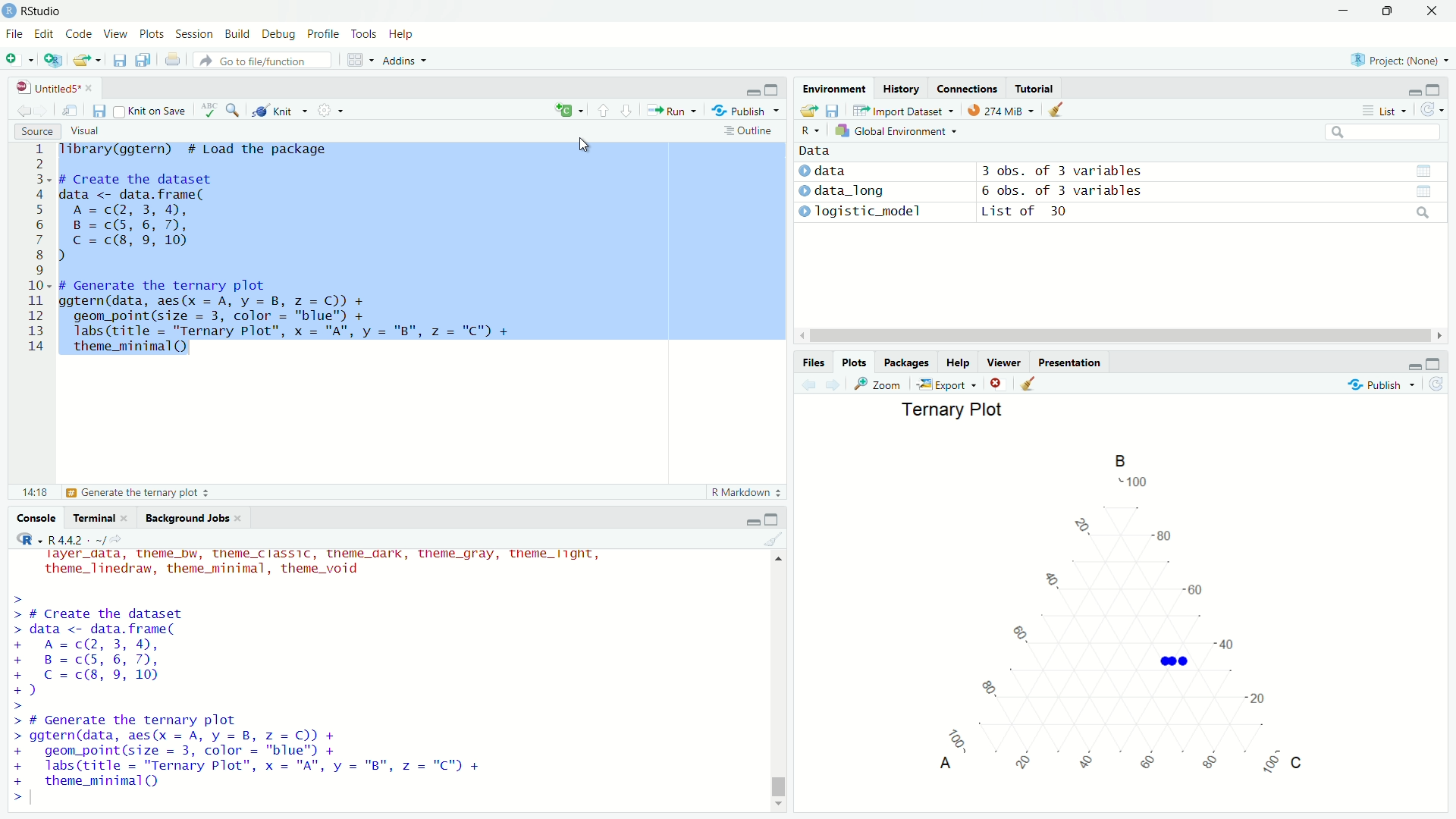 This screenshot has height=819, width=1456. What do you see at coordinates (812, 149) in the screenshot?
I see `Data` at bounding box center [812, 149].